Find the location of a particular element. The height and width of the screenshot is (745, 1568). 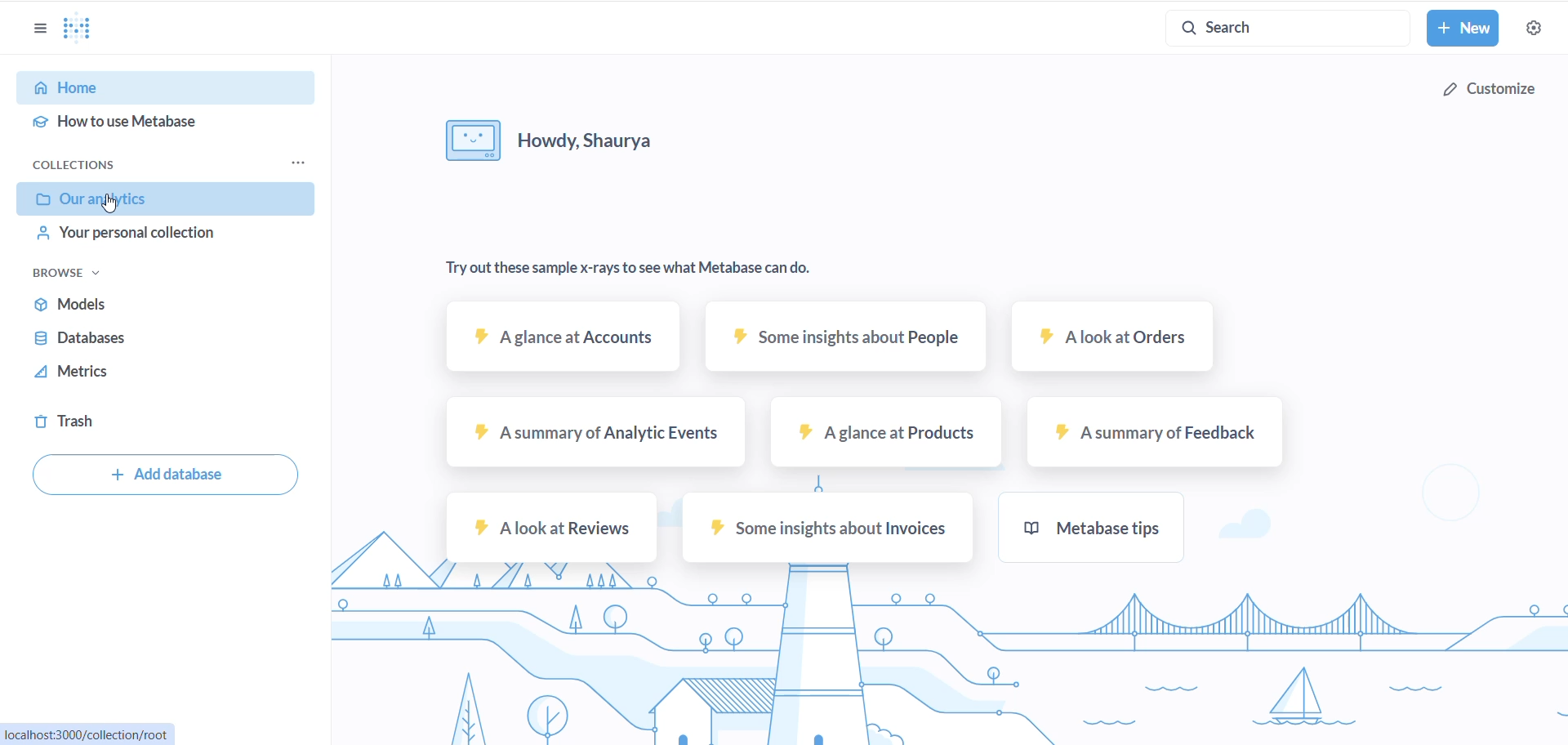

trash is located at coordinates (105, 422).